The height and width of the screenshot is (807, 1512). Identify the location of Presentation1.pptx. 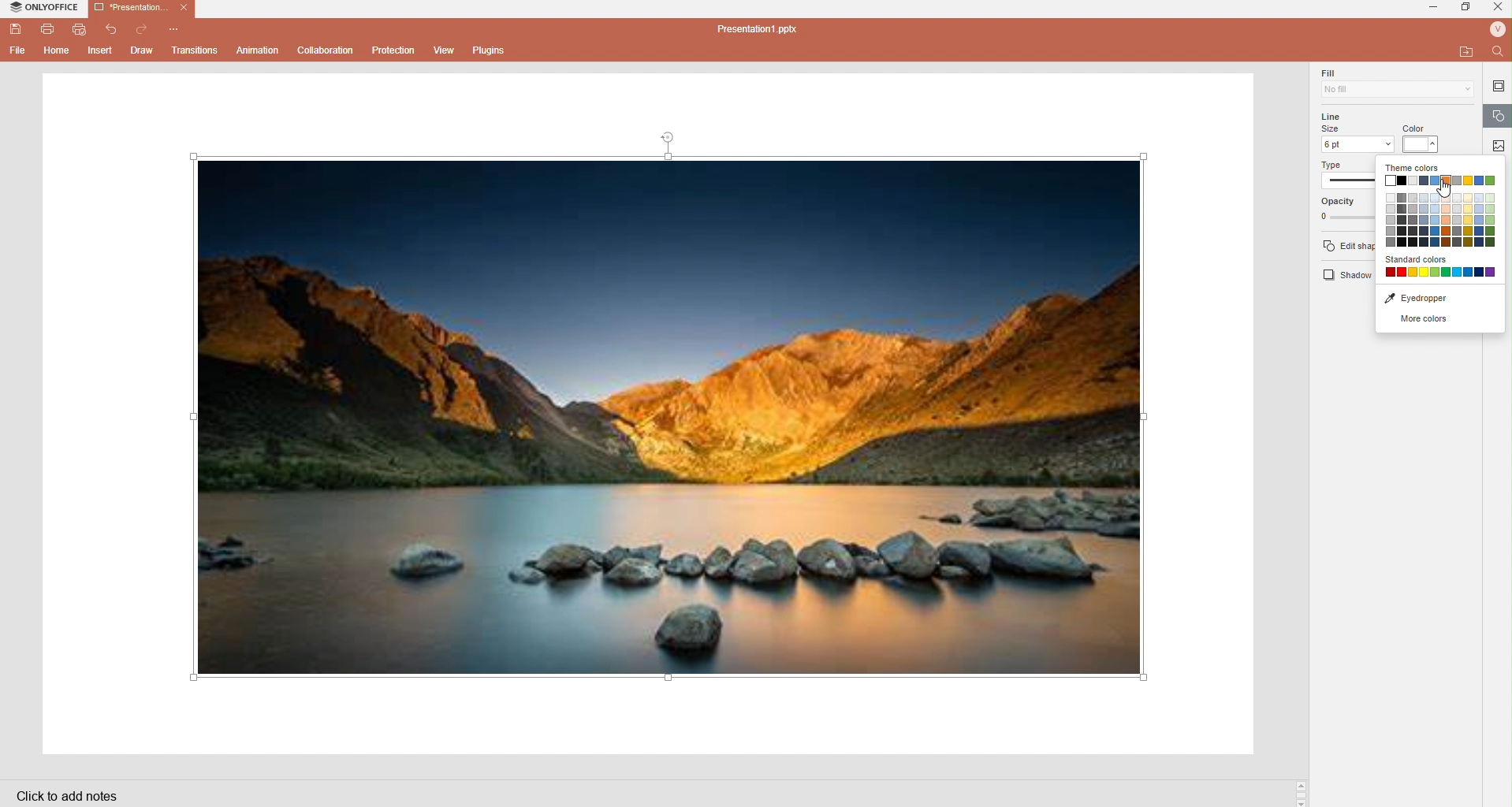
(760, 29).